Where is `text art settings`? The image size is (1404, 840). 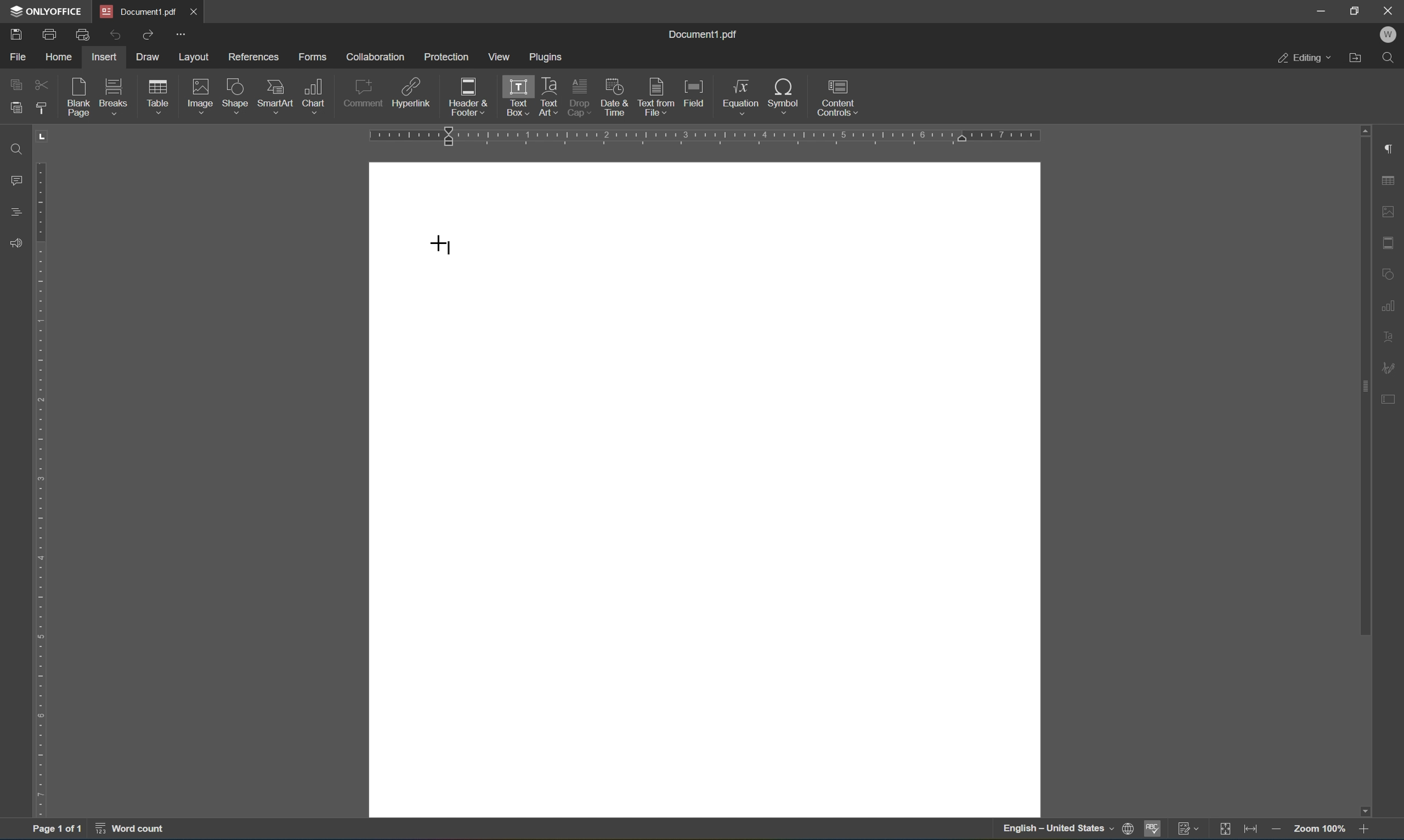
text art settings is located at coordinates (1389, 338).